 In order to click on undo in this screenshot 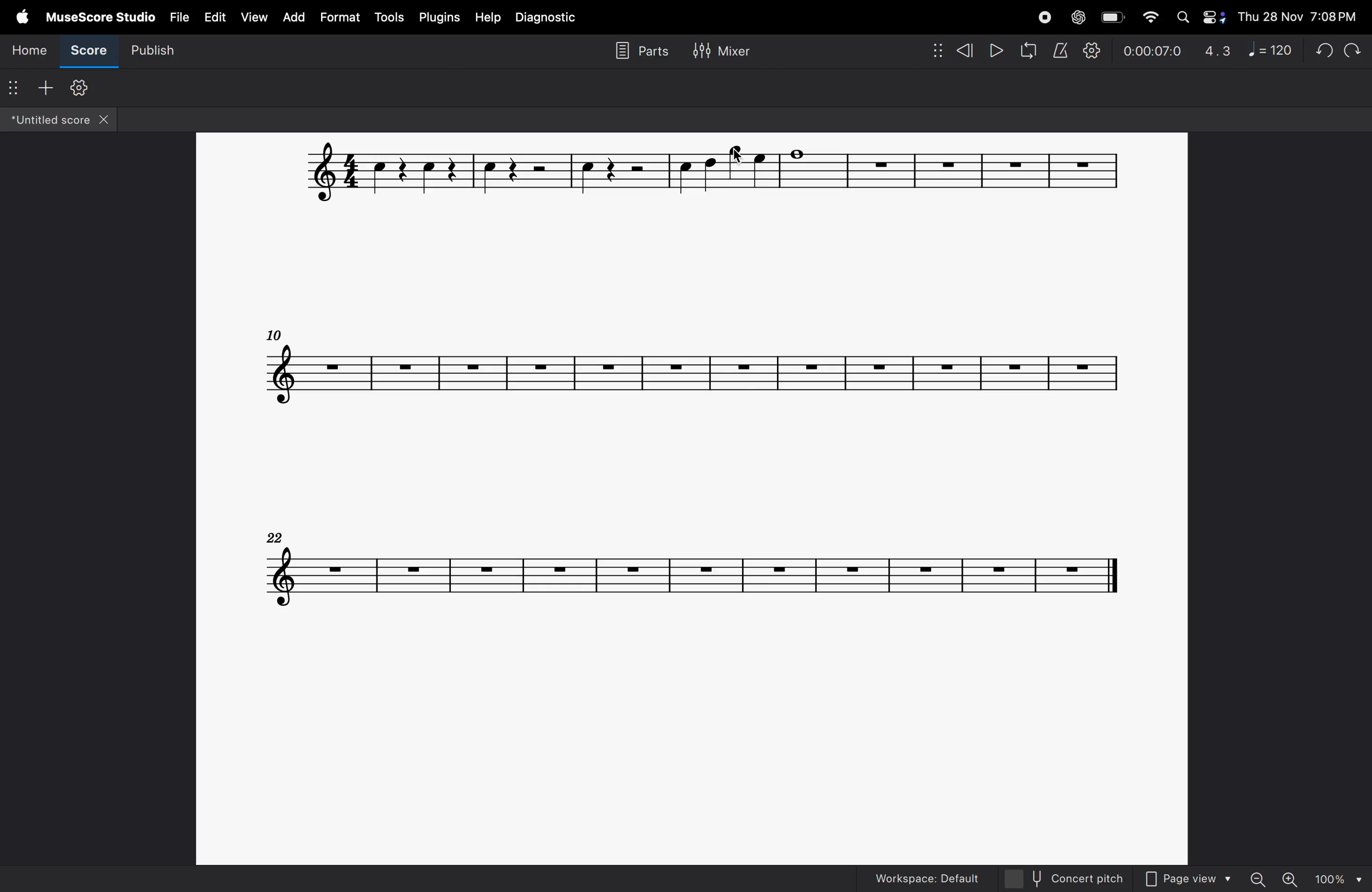, I will do `click(1324, 51)`.